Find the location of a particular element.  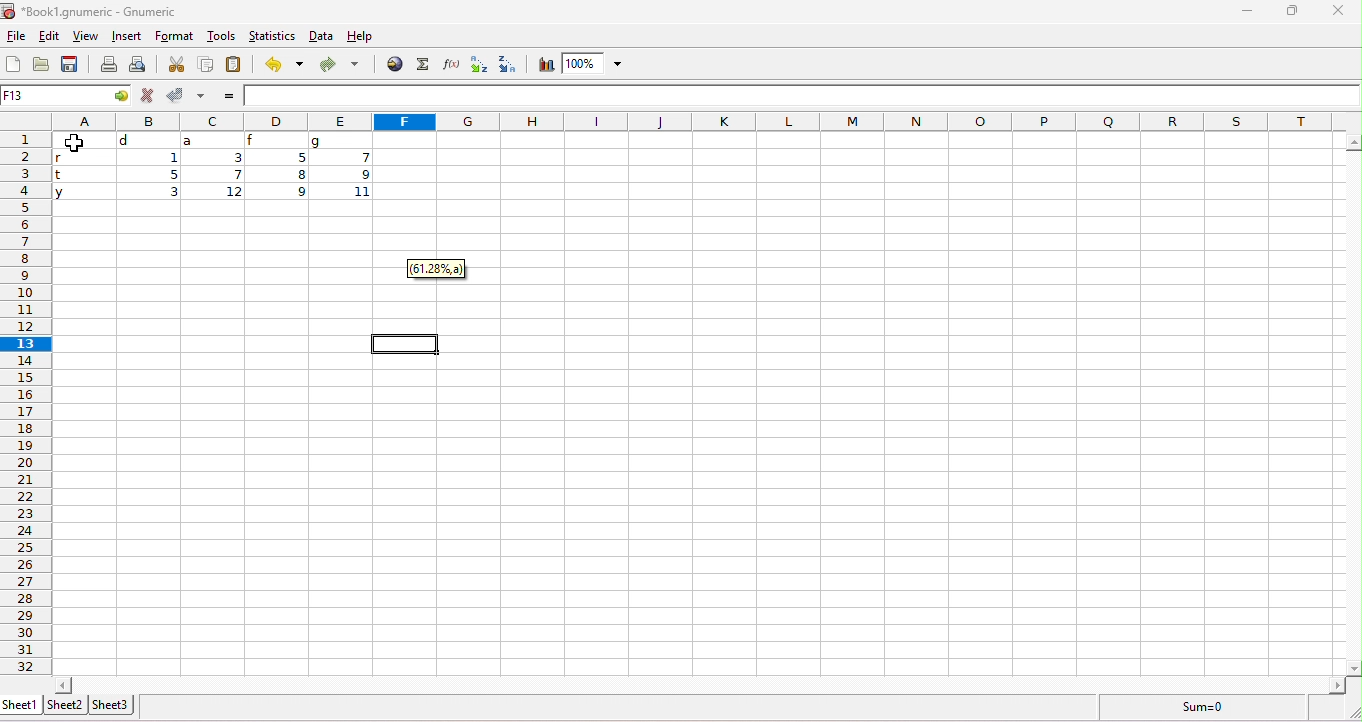

redo is located at coordinates (339, 63).